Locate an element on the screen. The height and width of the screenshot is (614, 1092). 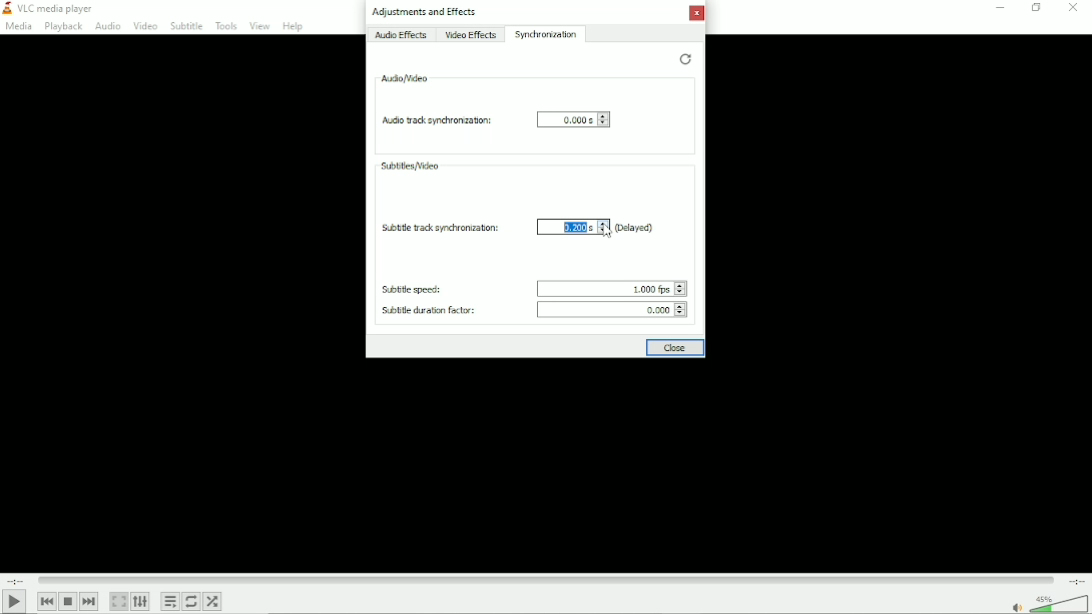
Restore down is located at coordinates (1035, 8).